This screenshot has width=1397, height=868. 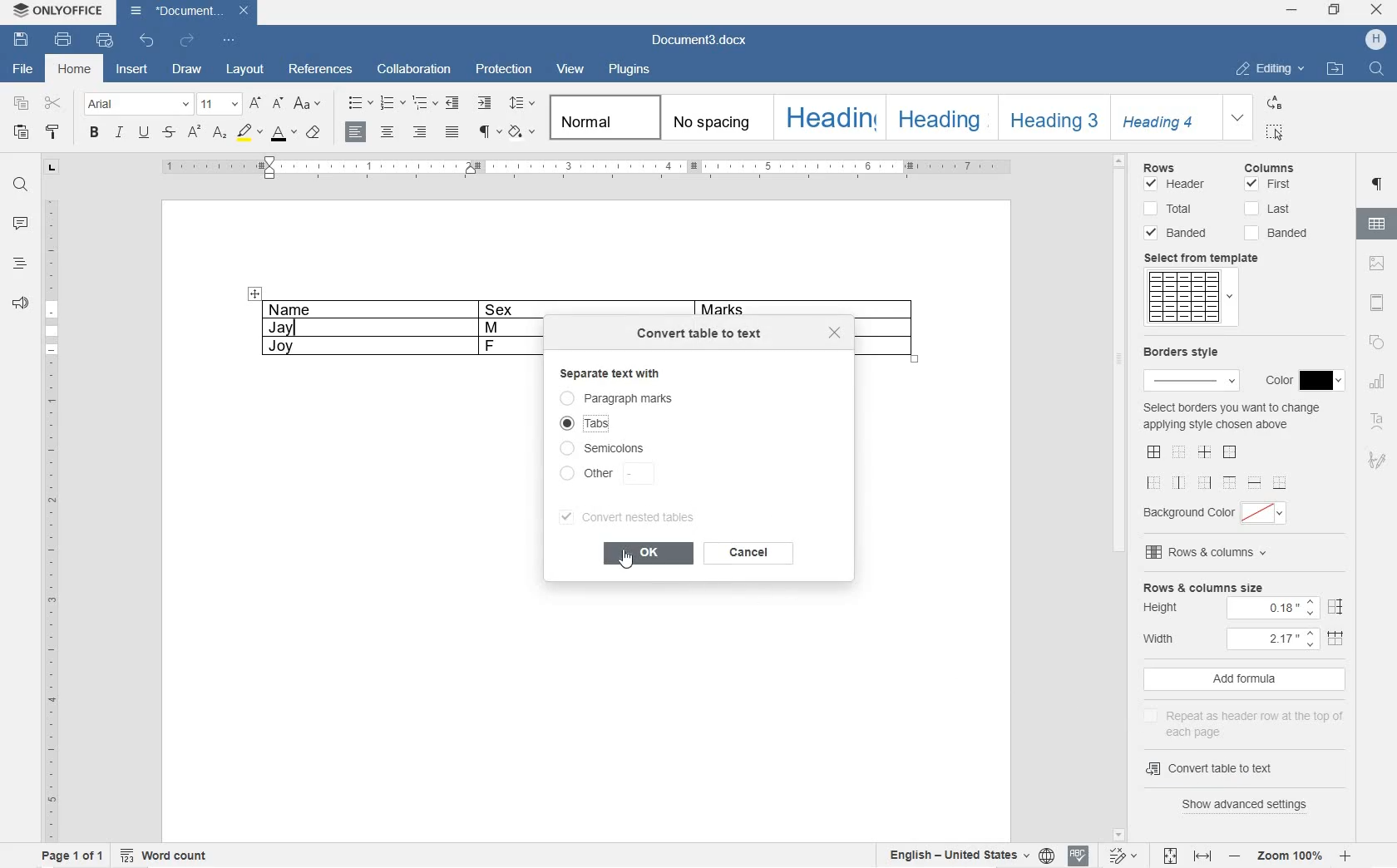 What do you see at coordinates (1078, 856) in the screenshot?
I see `SPELL CHECKING` at bounding box center [1078, 856].